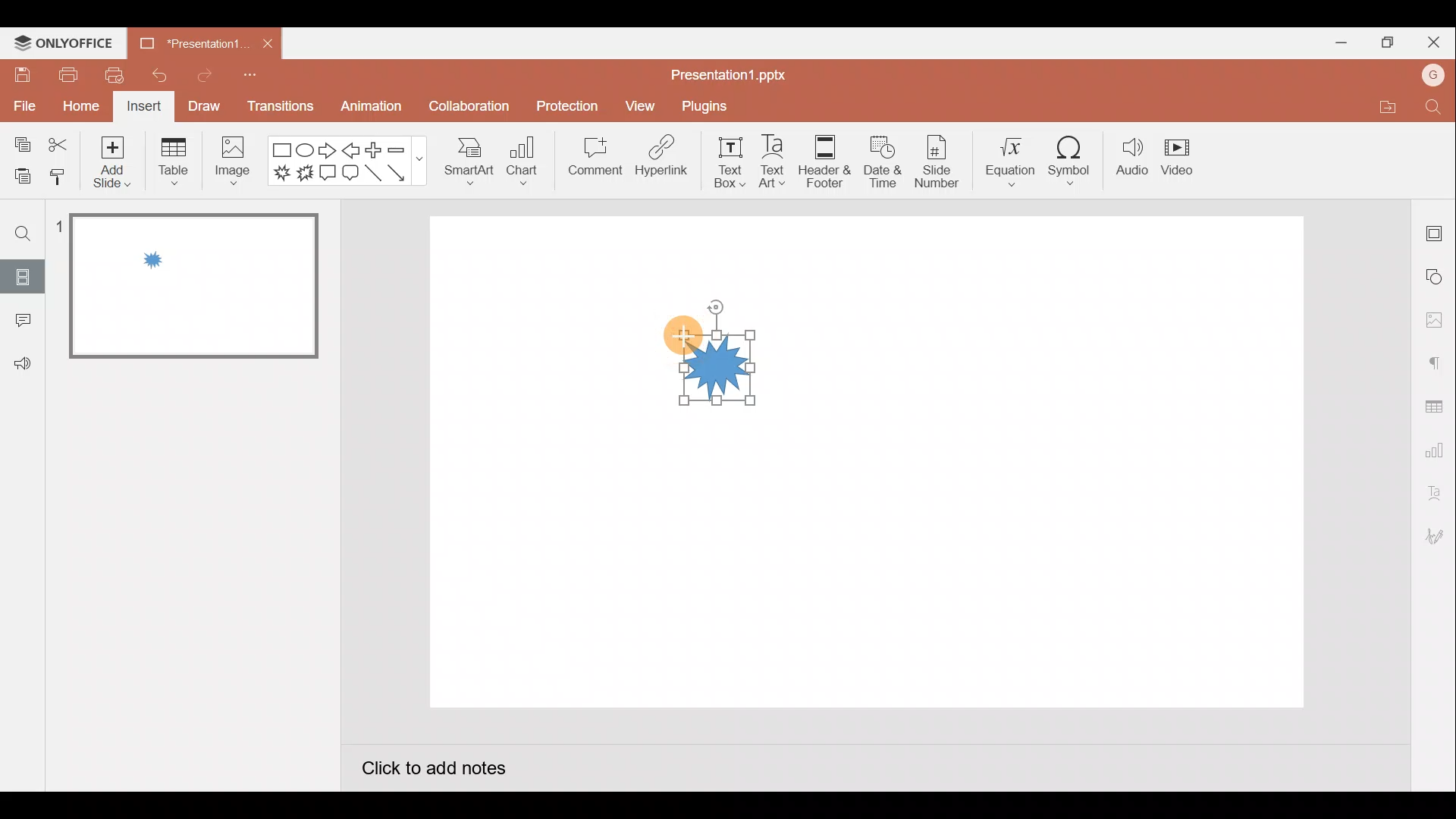 The height and width of the screenshot is (819, 1456). Describe the element at coordinates (22, 77) in the screenshot. I see `Save` at that location.